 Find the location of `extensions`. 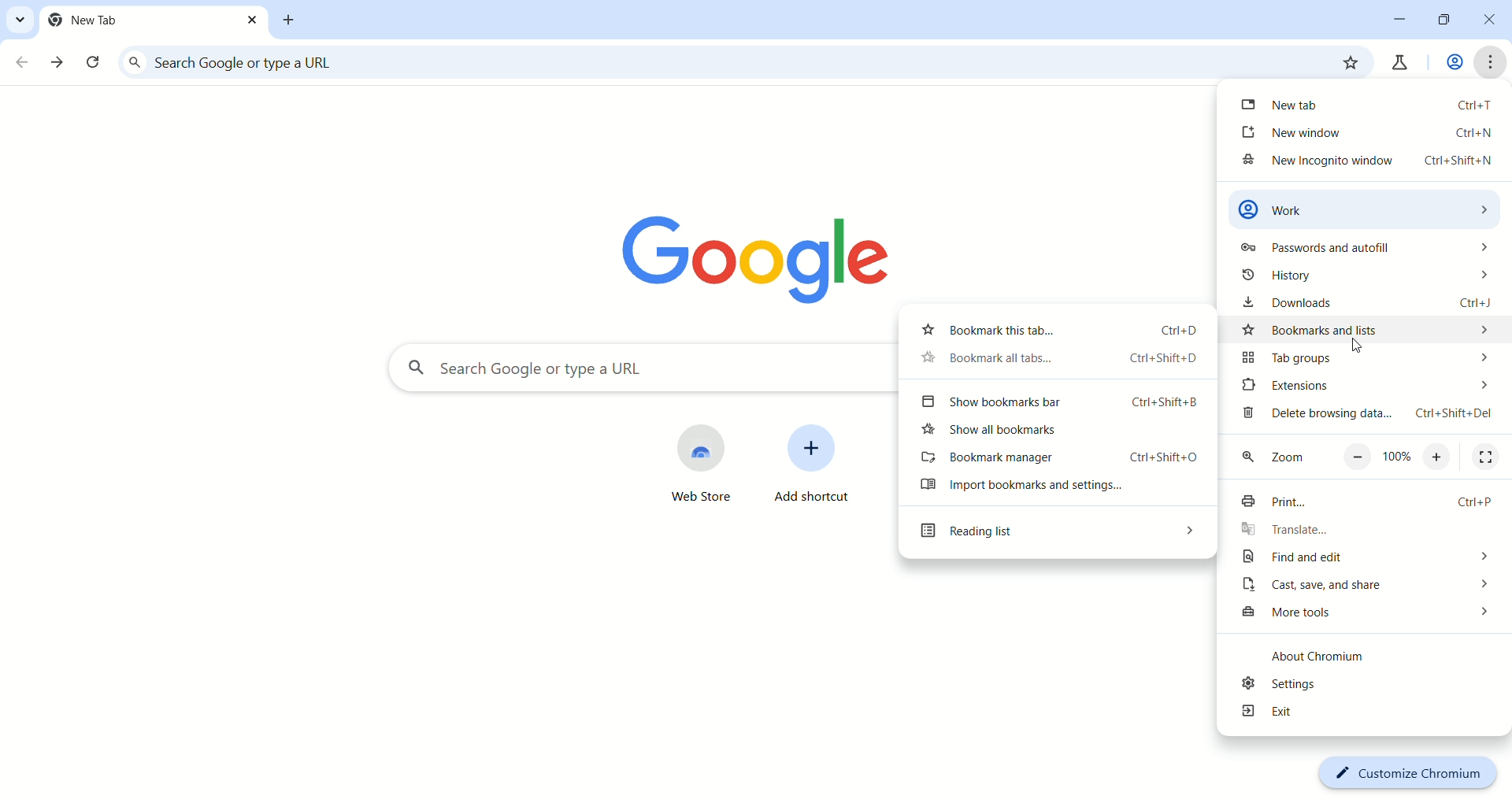

extensions is located at coordinates (1365, 386).